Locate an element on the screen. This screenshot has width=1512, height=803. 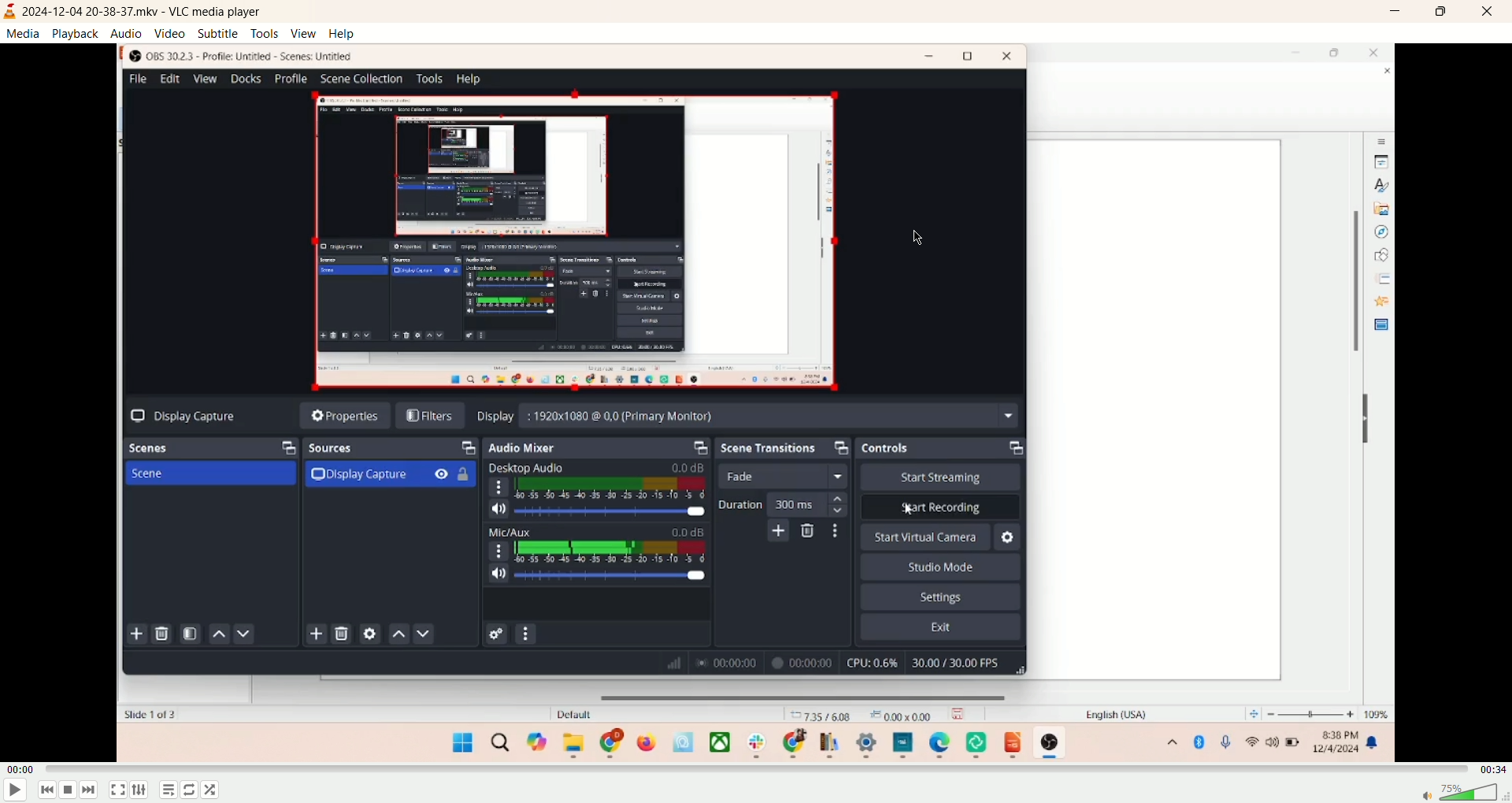
full screen is located at coordinates (116, 790).